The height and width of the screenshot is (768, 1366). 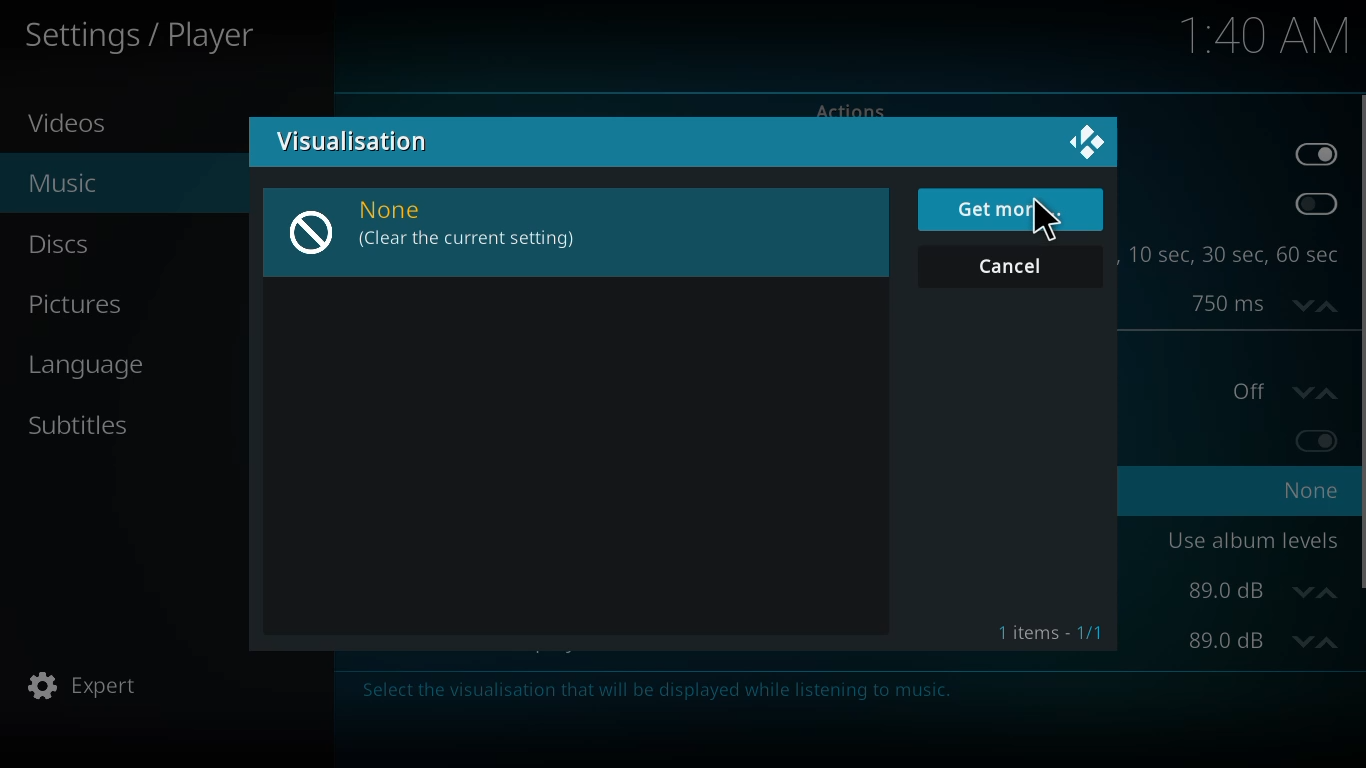 What do you see at coordinates (1255, 303) in the screenshot?
I see `delay` at bounding box center [1255, 303].